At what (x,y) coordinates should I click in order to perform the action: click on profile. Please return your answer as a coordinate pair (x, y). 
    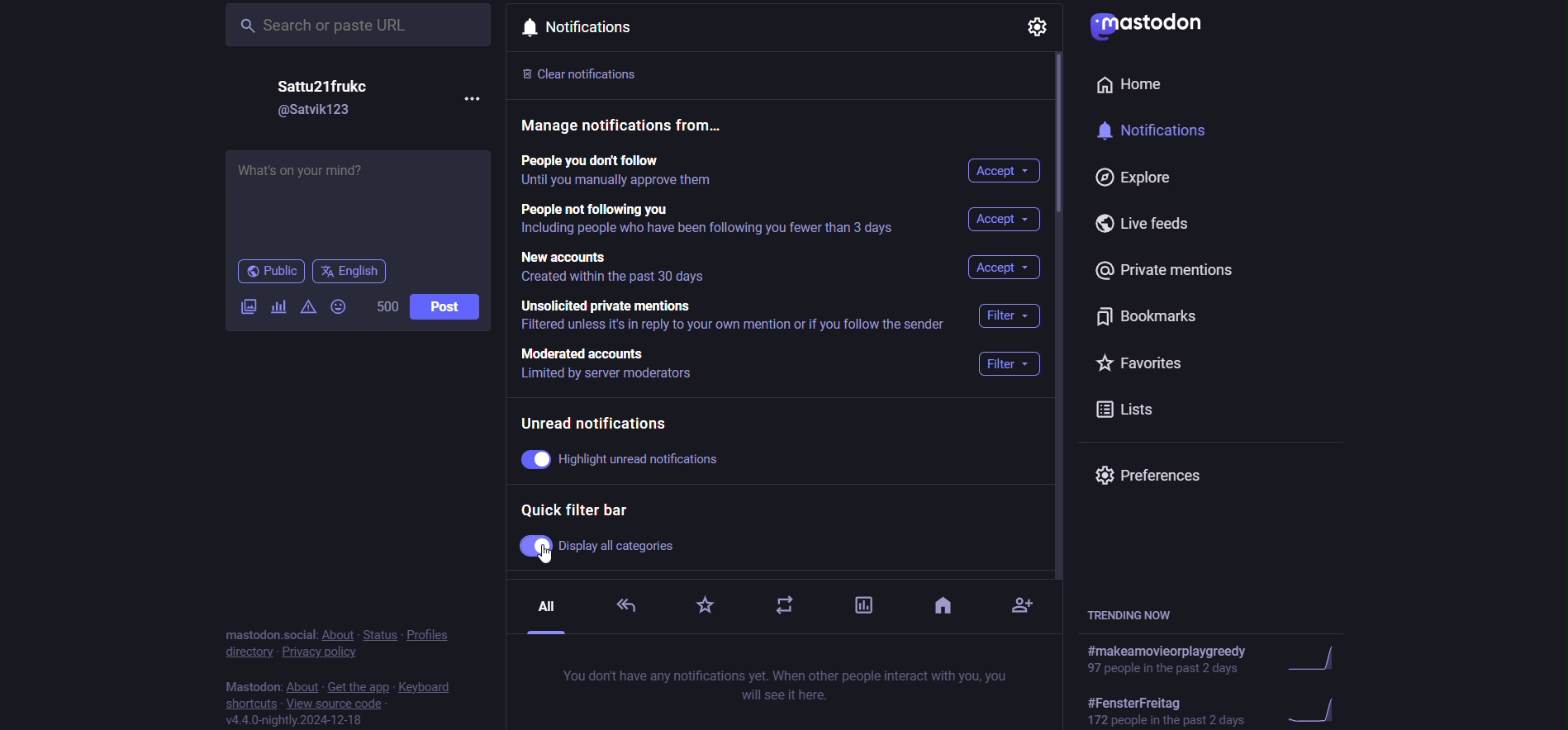
    Looking at the image, I should click on (435, 631).